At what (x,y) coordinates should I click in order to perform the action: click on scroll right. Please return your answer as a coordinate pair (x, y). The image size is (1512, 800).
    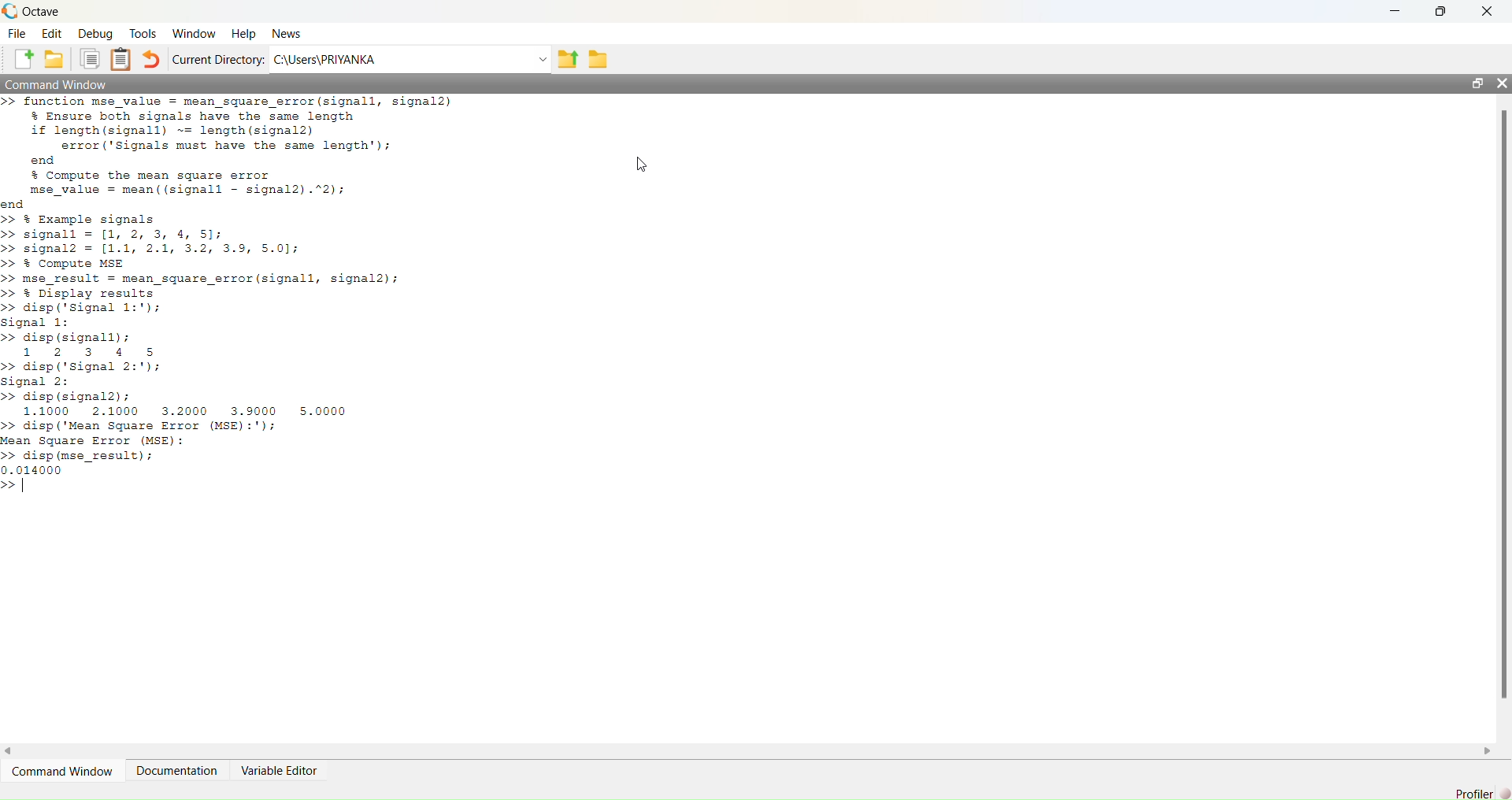
    Looking at the image, I should click on (1488, 751).